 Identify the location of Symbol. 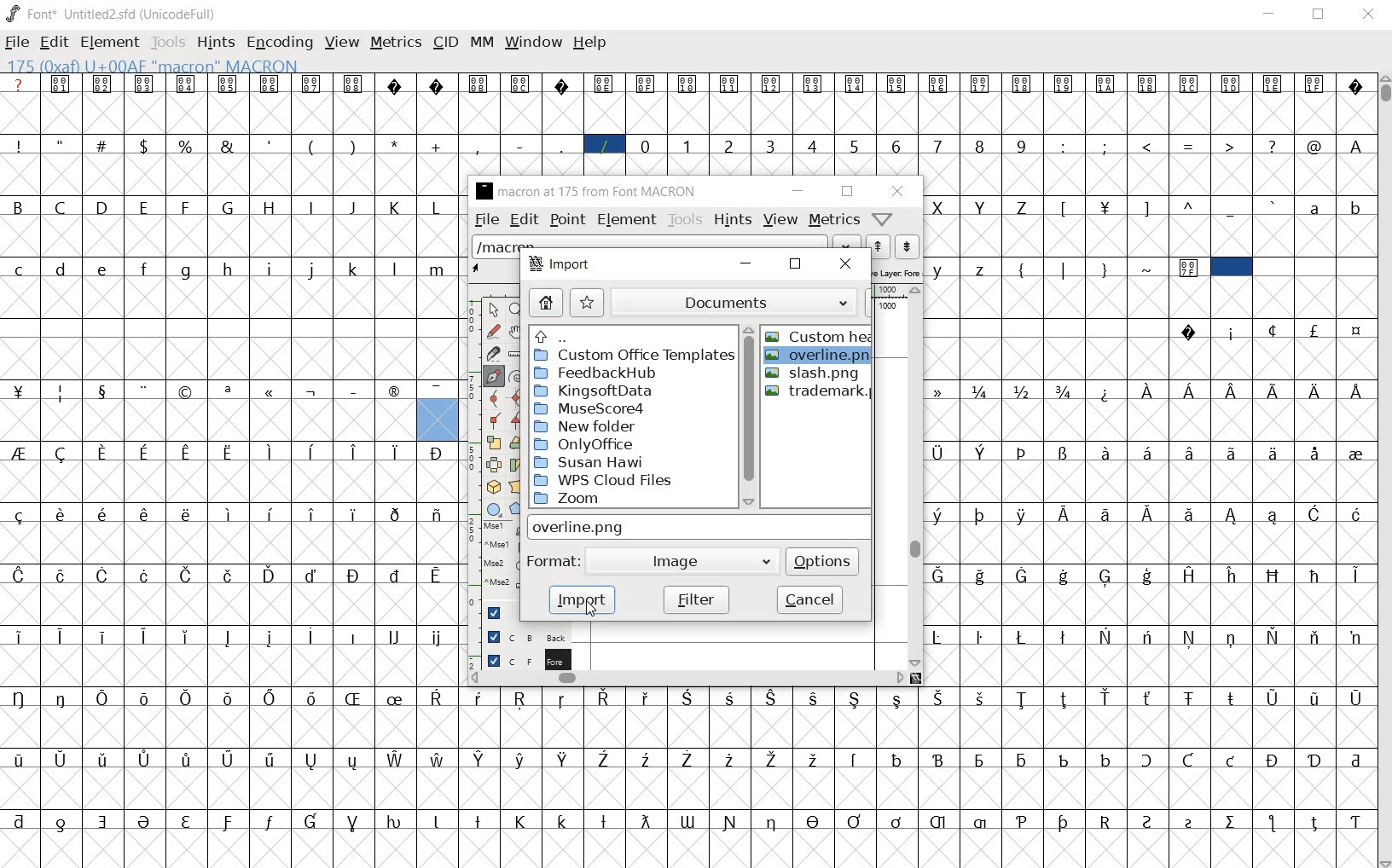
(63, 513).